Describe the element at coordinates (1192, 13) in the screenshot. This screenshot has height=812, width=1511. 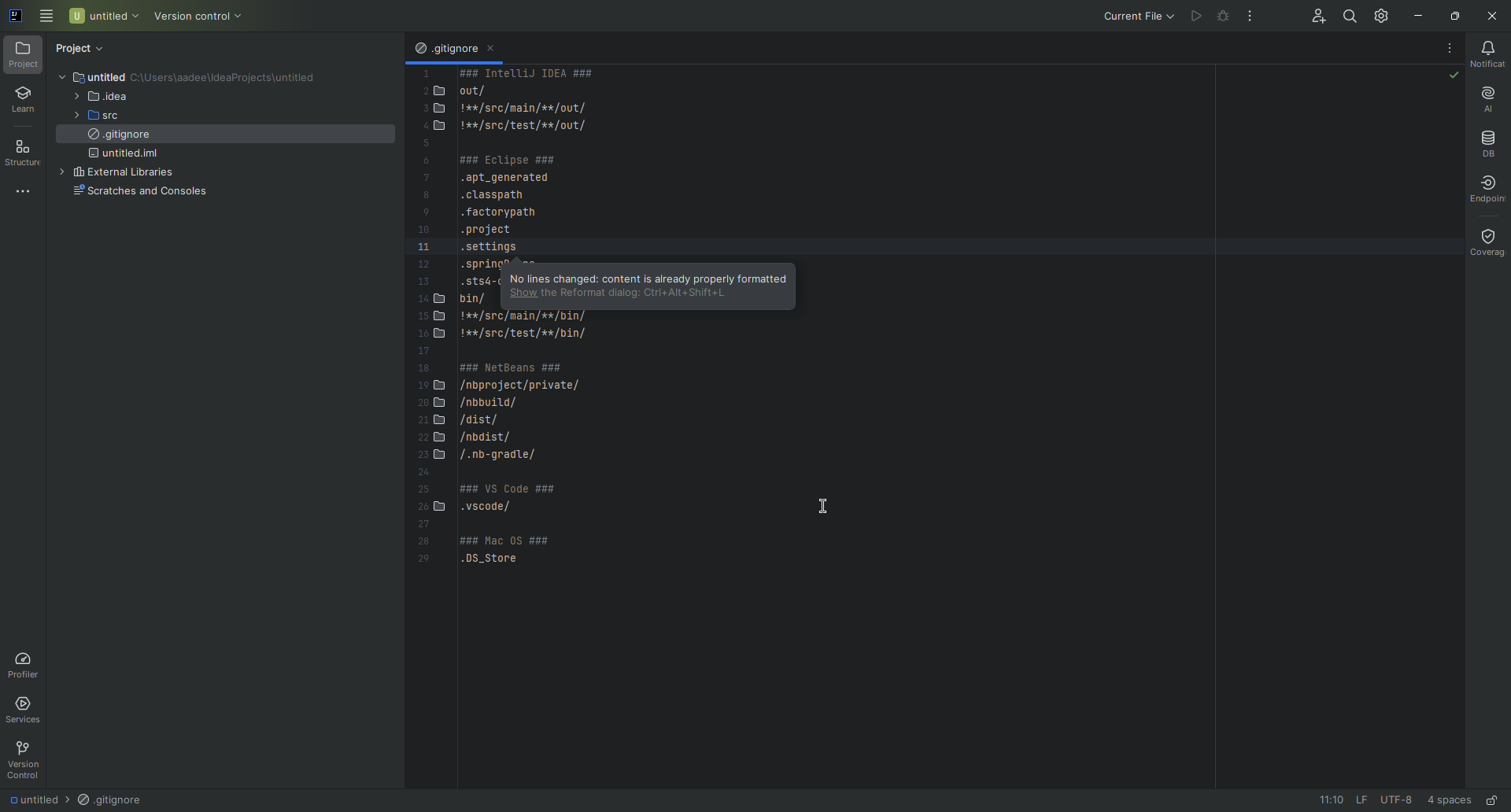
I see `Play` at that location.